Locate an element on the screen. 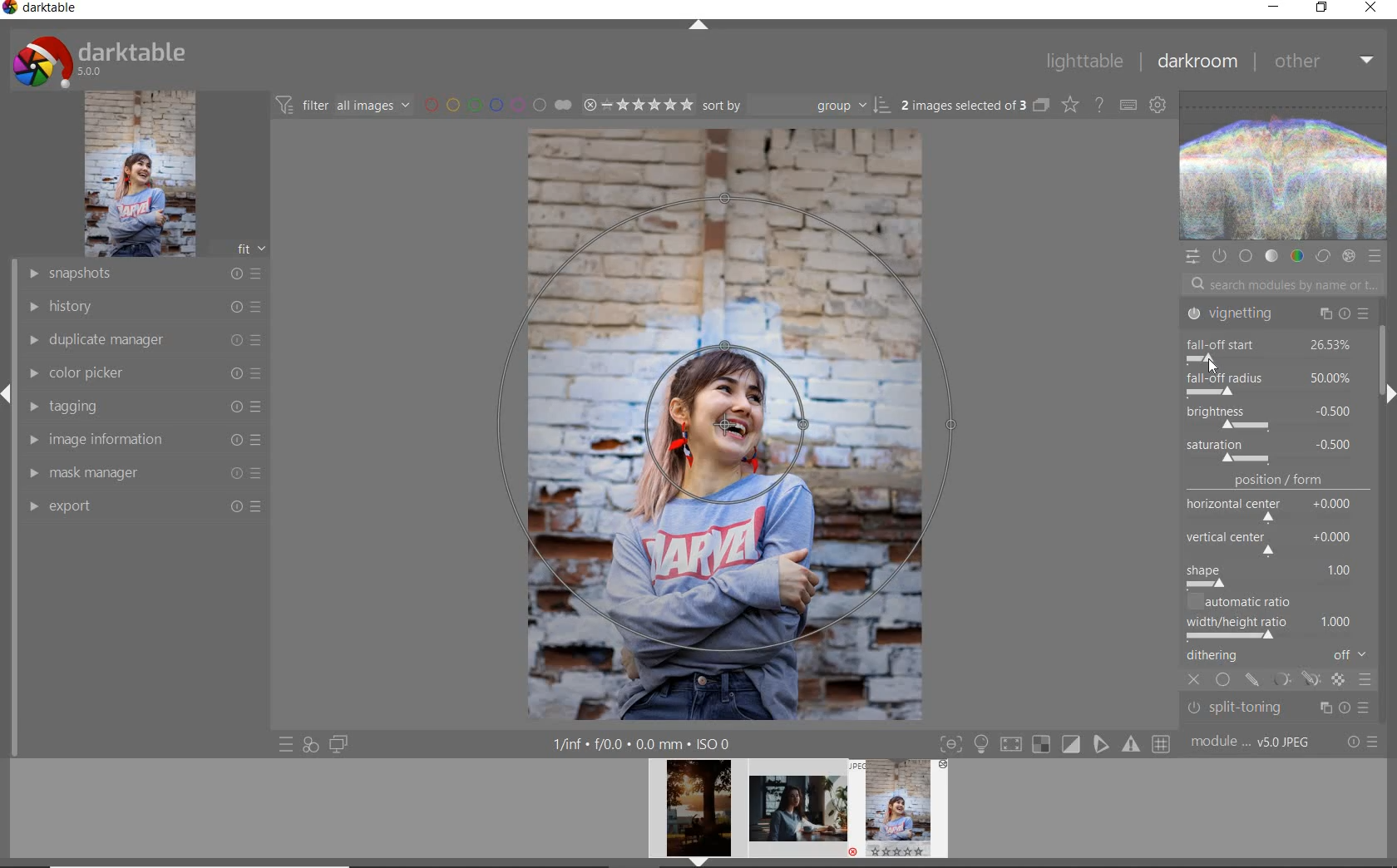  expand/collapse is located at coordinates (698, 27).